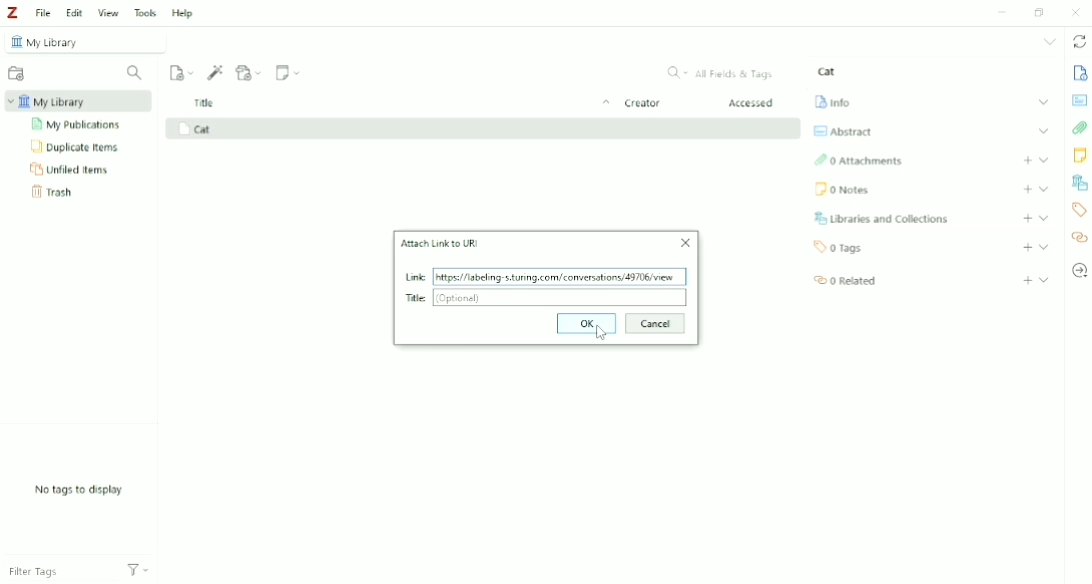  What do you see at coordinates (1045, 130) in the screenshot?
I see `Expand section` at bounding box center [1045, 130].